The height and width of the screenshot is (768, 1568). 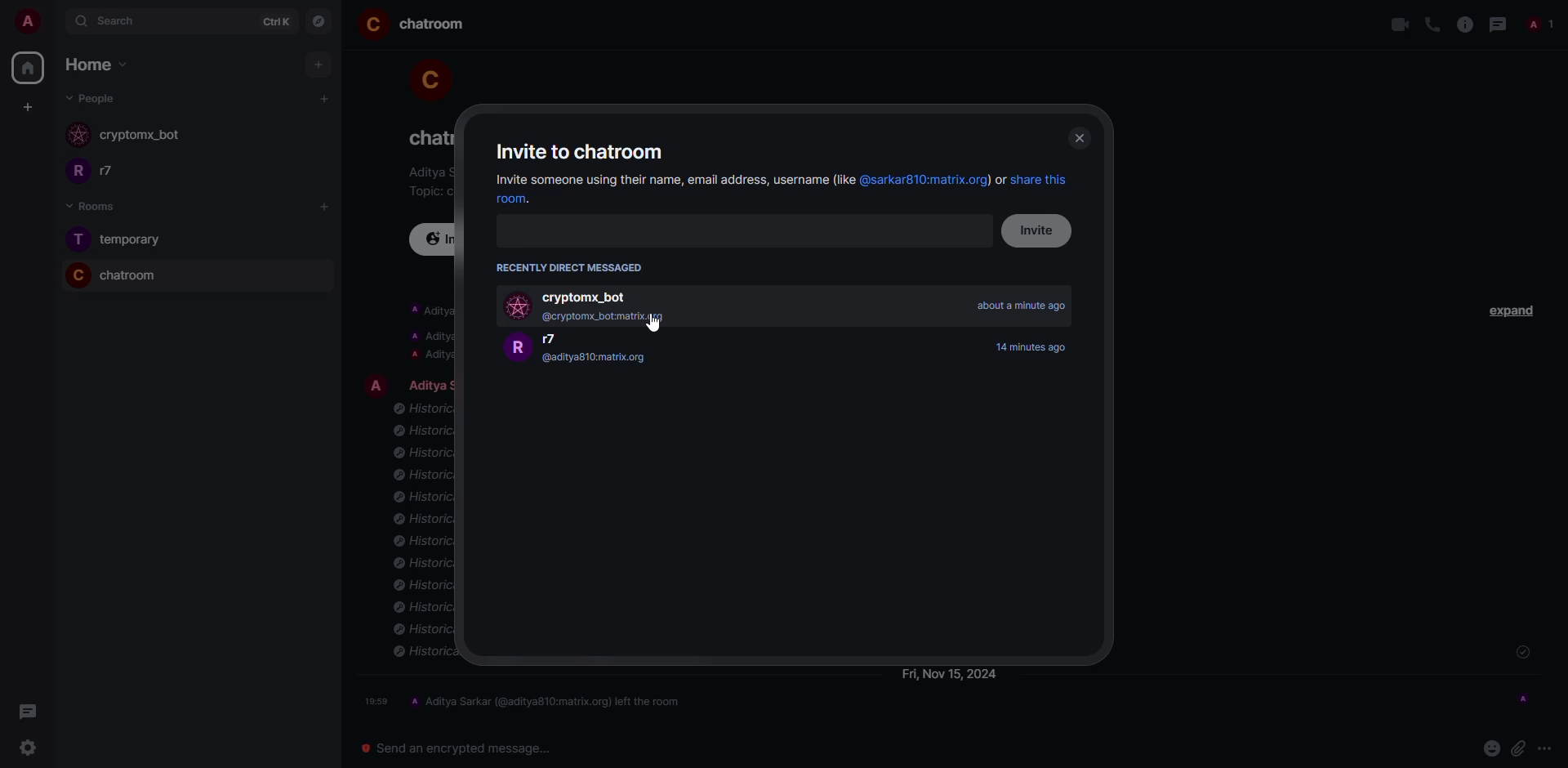 I want to click on invite, so click(x=1040, y=230).